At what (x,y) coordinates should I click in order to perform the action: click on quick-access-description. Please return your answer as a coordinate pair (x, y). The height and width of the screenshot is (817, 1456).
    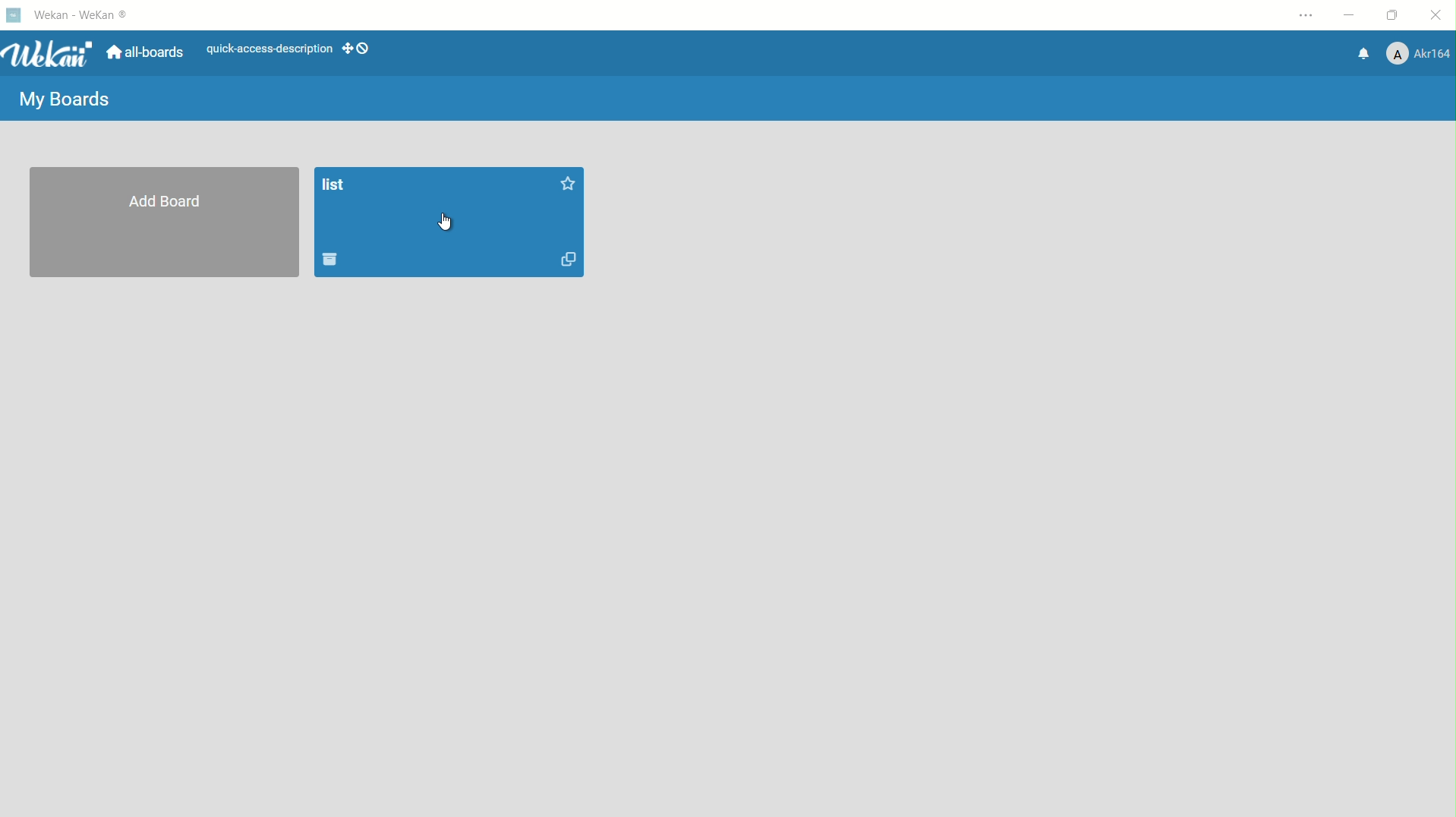
    Looking at the image, I should click on (271, 50).